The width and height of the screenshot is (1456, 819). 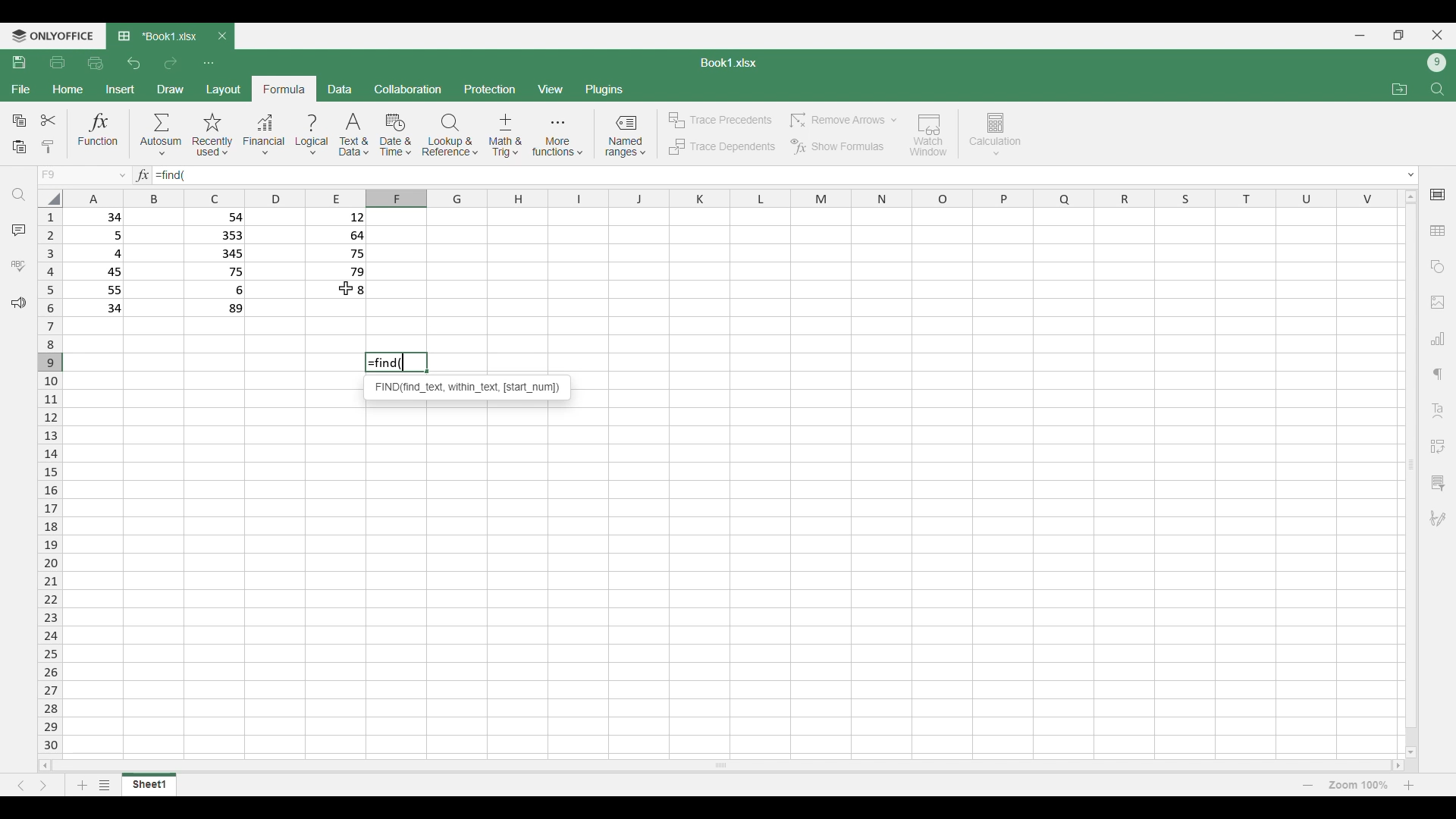 What do you see at coordinates (1409, 785) in the screenshot?
I see `Zoom in` at bounding box center [1409, 785].